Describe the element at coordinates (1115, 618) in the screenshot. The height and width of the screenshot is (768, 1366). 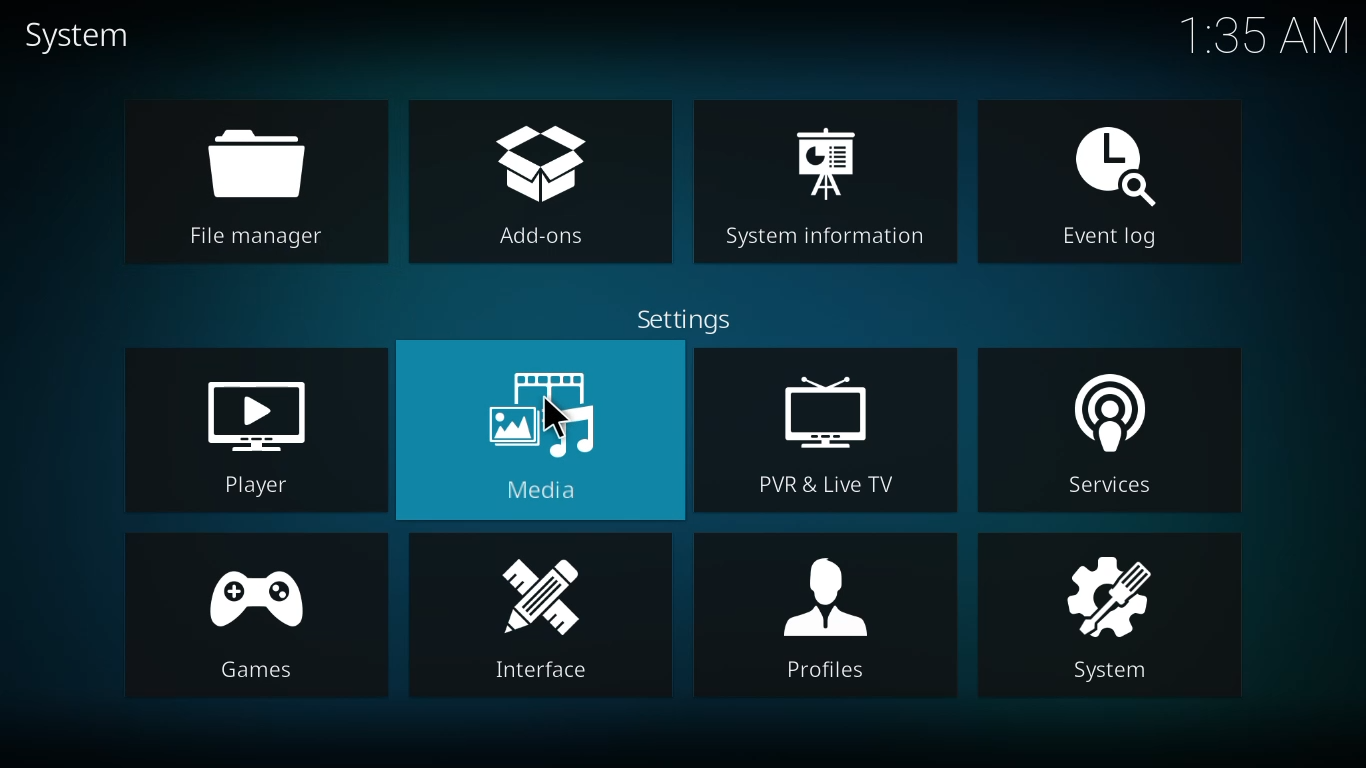
I see `system` at that location.